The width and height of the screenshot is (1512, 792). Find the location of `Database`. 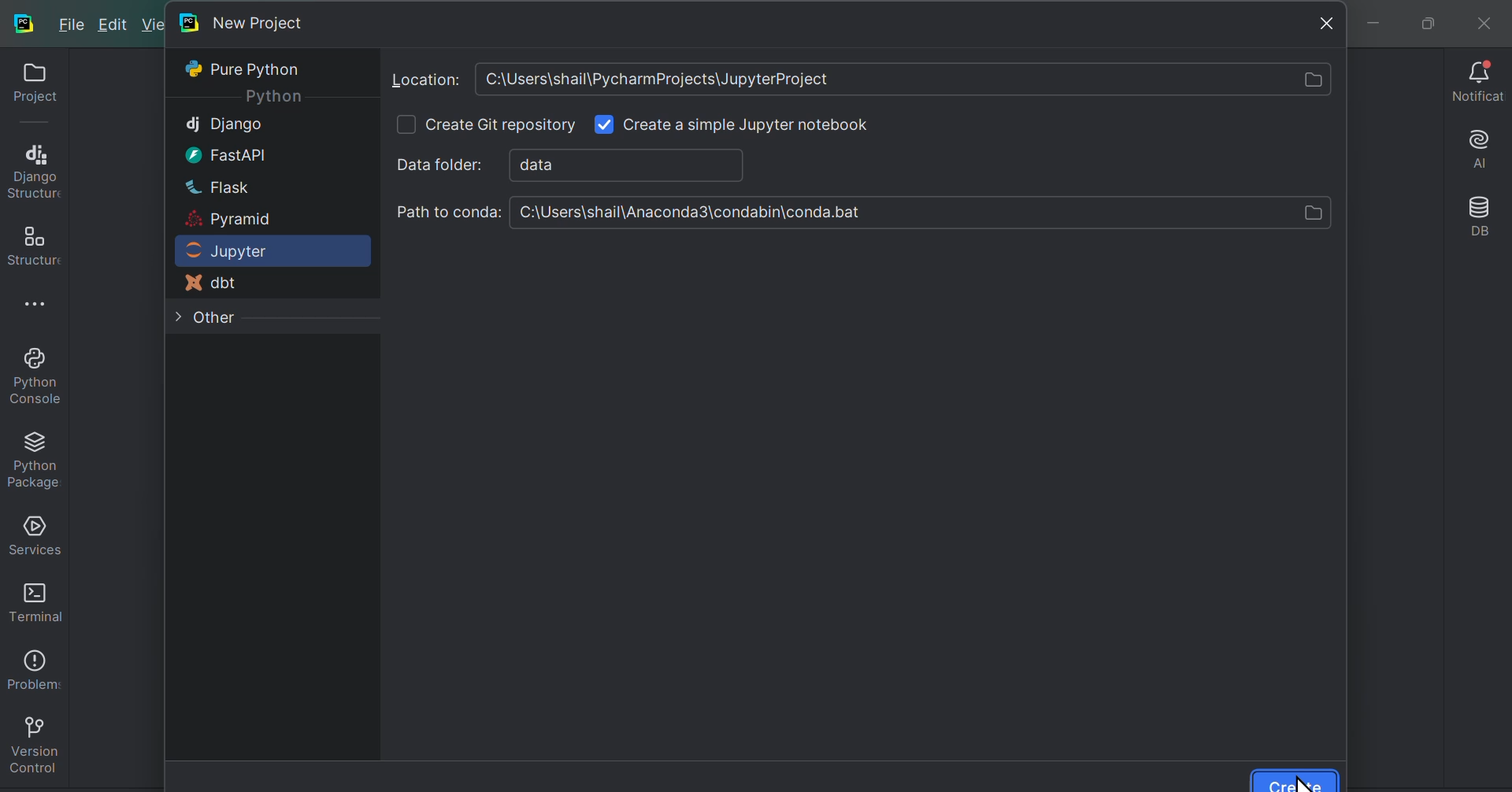

Database is located at coordinates (1478, 217).